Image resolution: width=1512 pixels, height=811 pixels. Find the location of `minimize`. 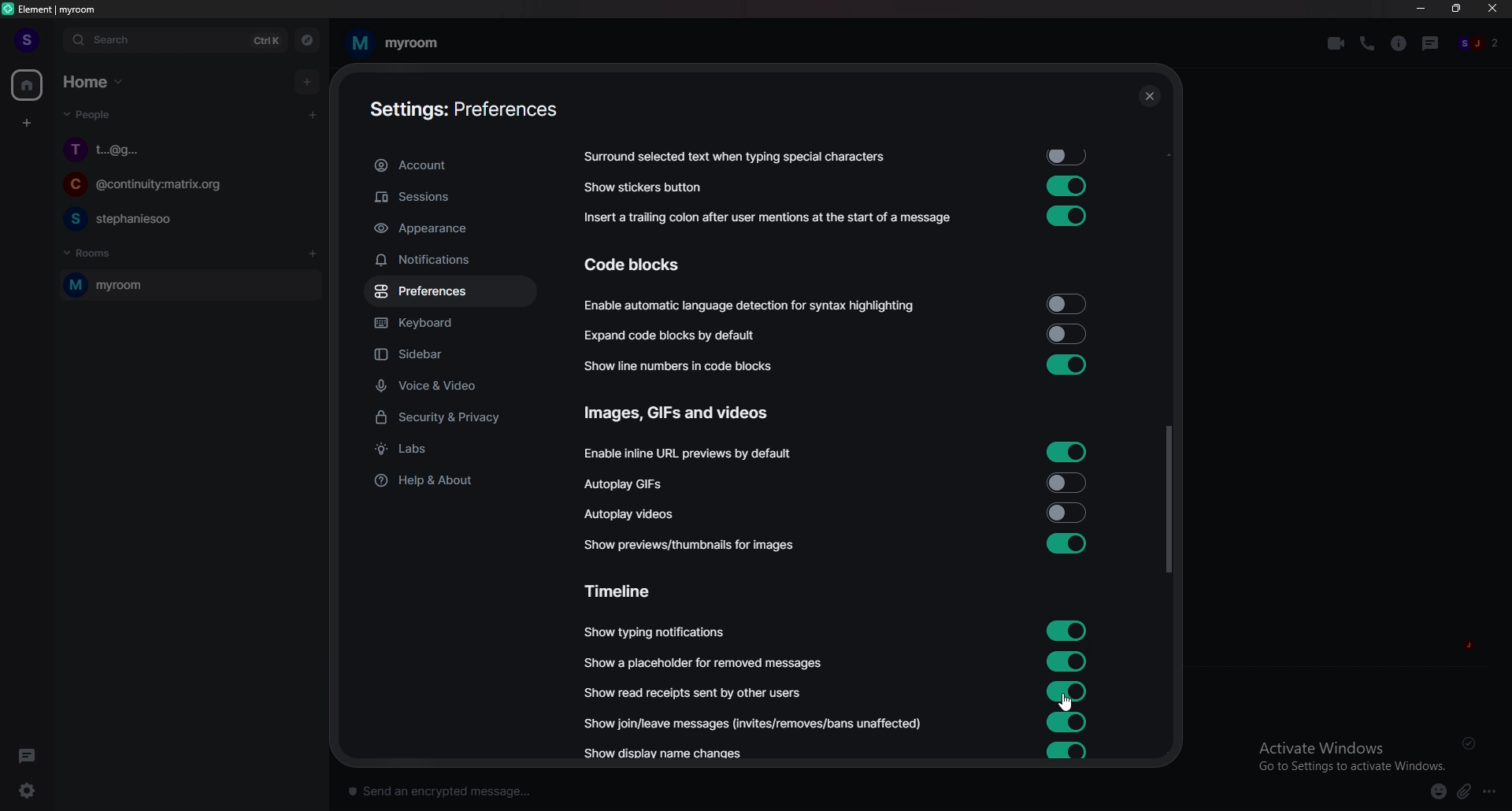

minimize is located at coordinates (1421, 9).